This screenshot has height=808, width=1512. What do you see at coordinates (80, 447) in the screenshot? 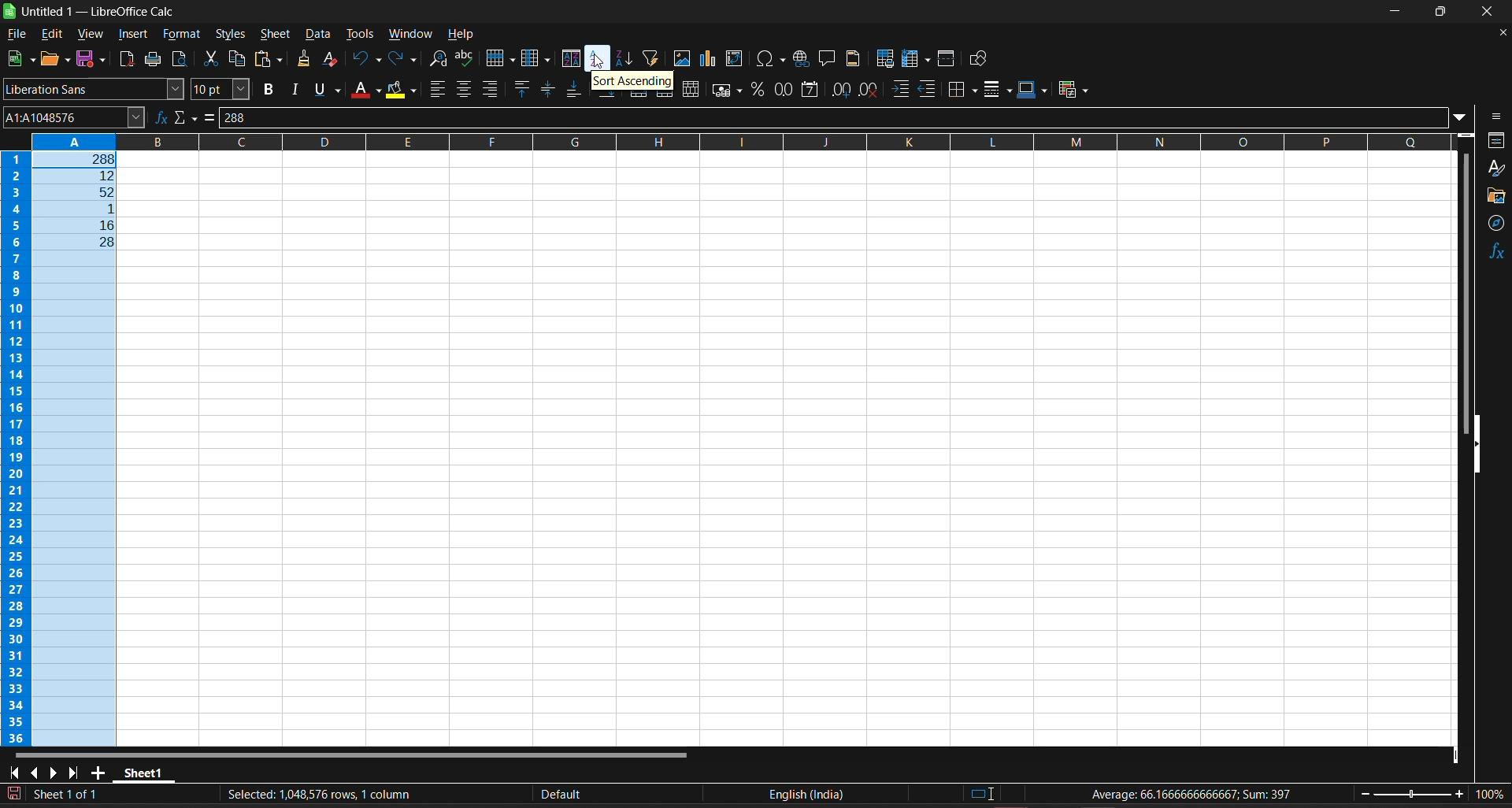
I see `selected column` at bounding box center [80, 447].